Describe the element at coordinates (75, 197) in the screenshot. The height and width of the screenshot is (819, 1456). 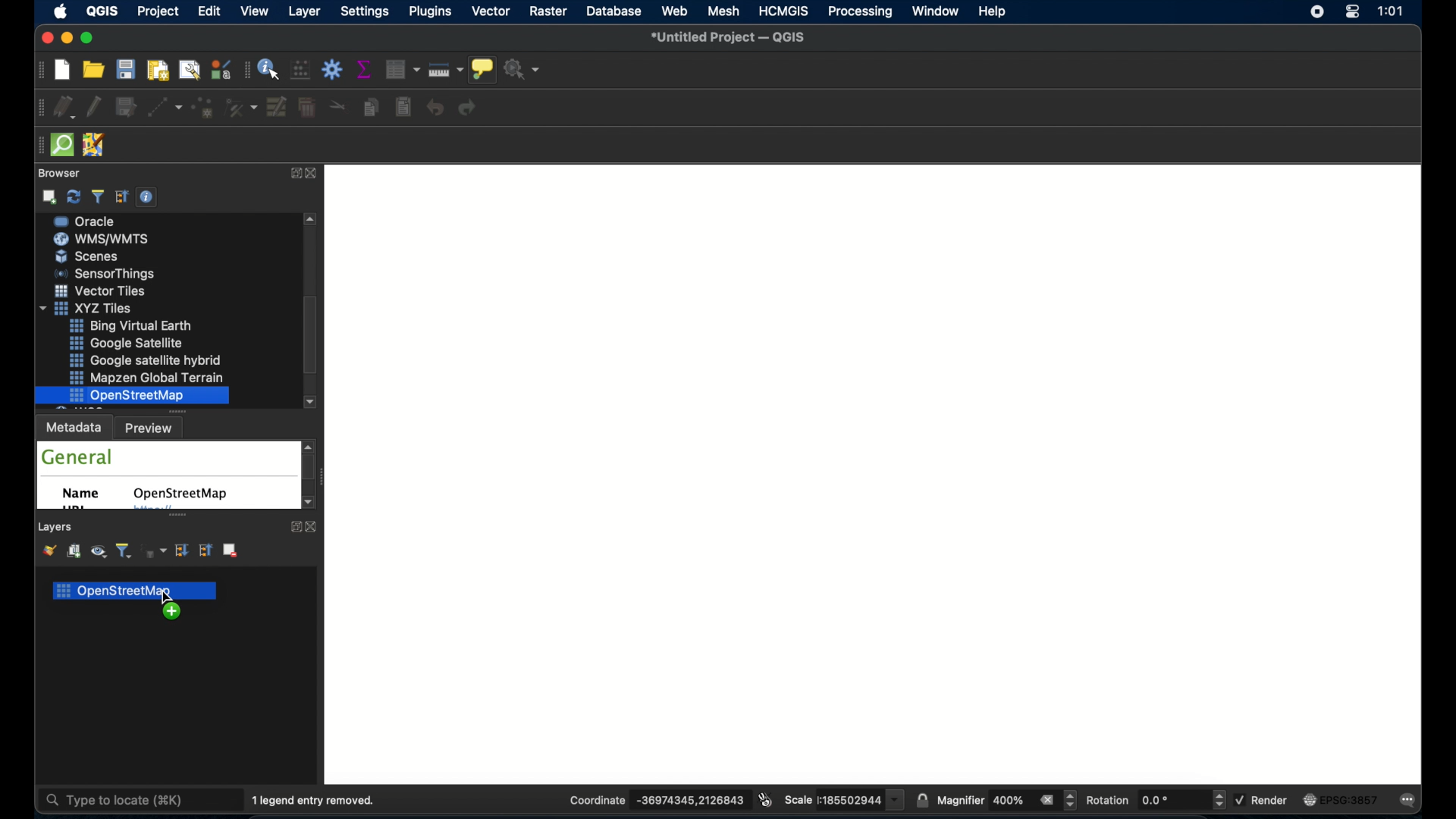
I see `refresh` at that location.